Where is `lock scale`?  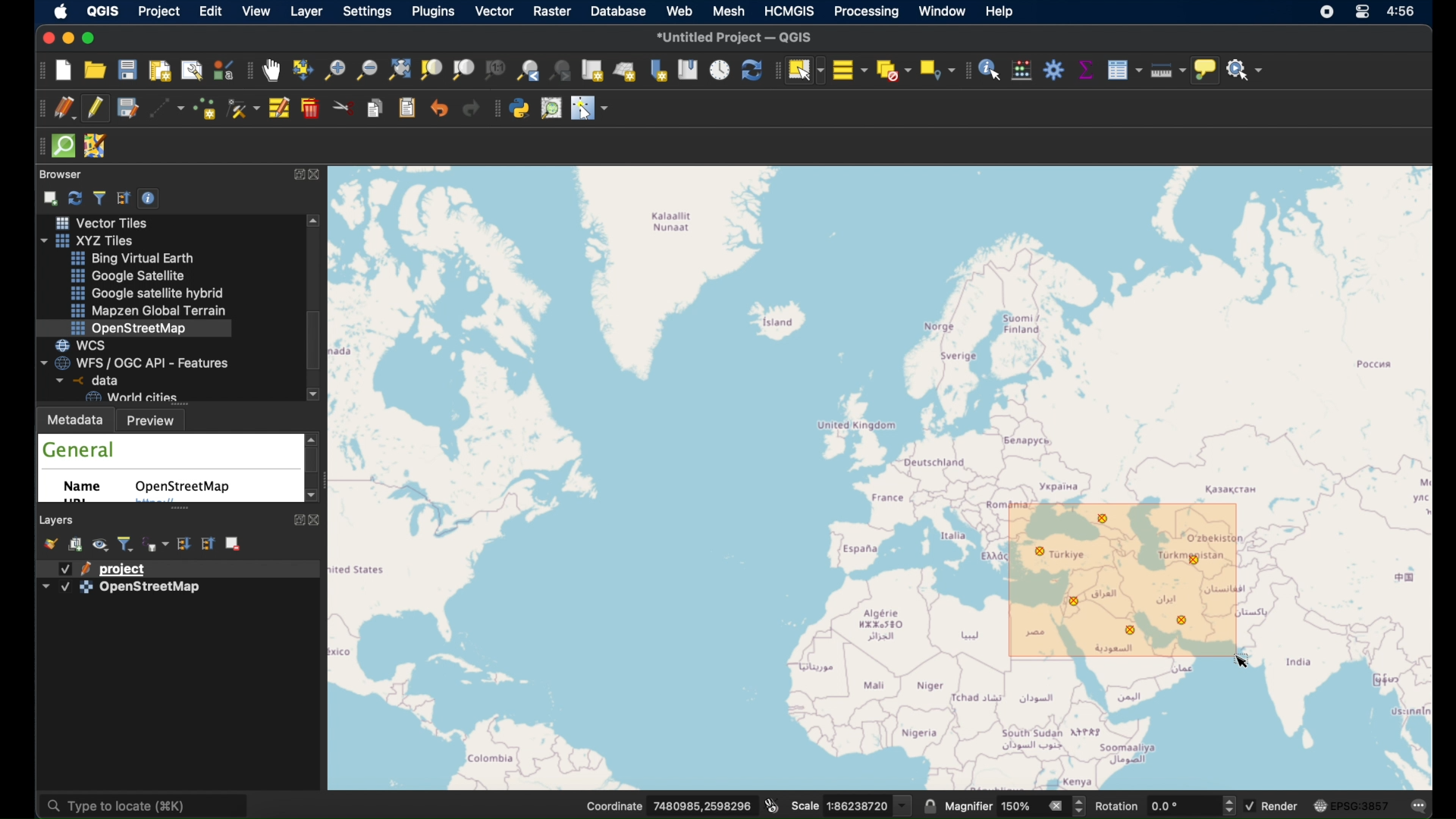
lock scale is located at coordinates (930, 805).